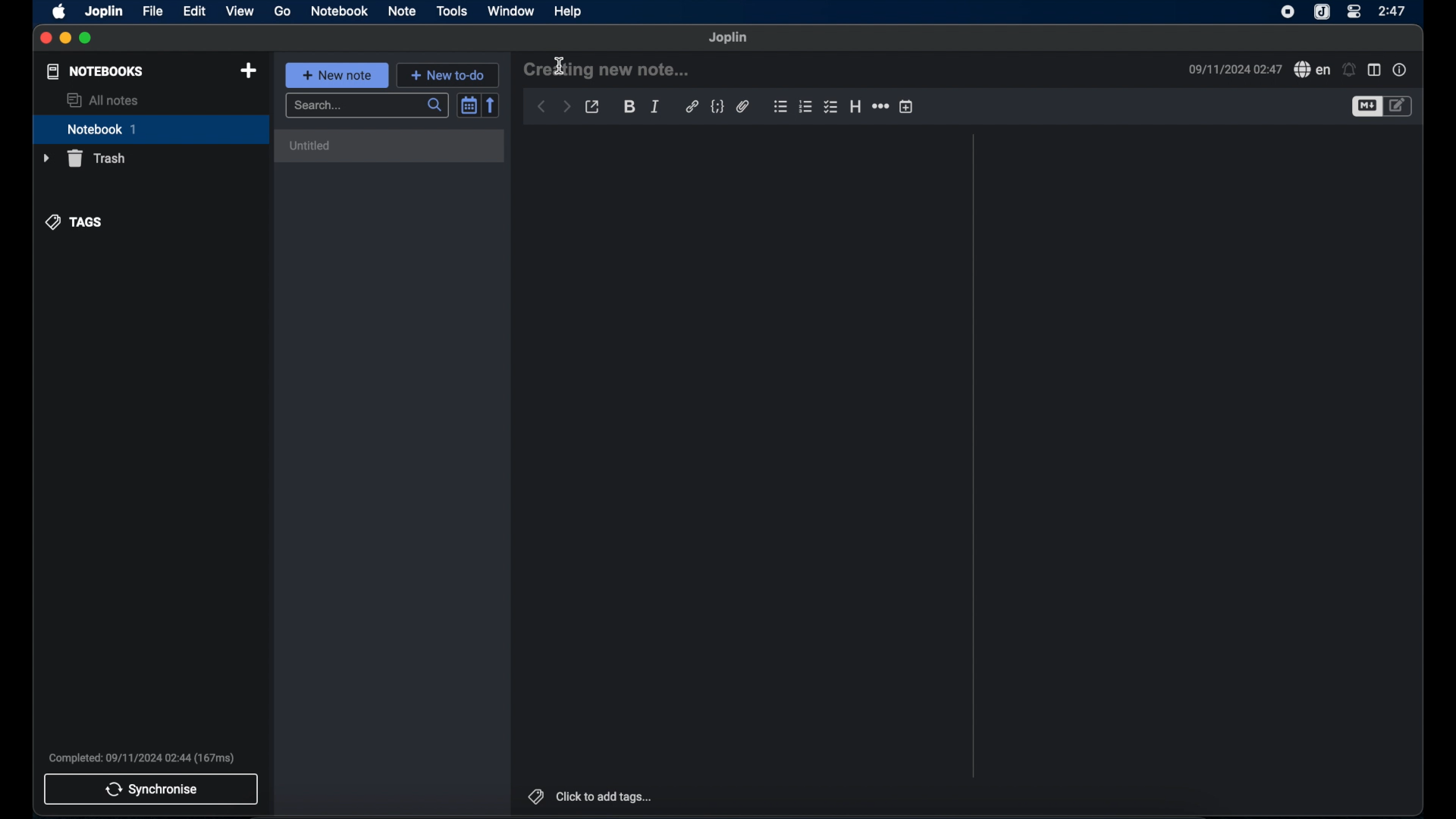 The width and height of the screenshot is (1456, 819). I want to click on new notebook, so click(248, 71).